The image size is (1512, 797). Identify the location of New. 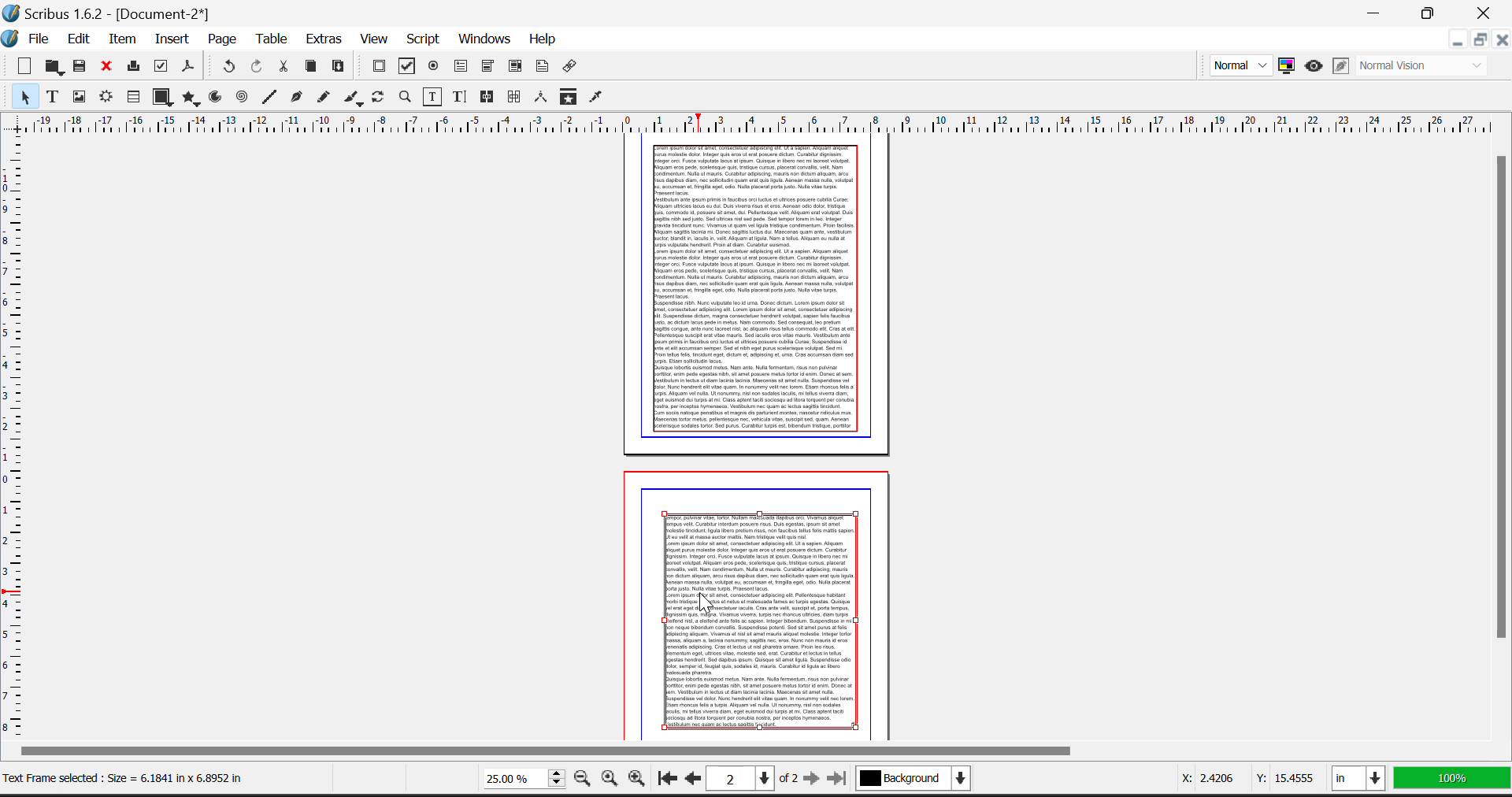
(20, 67).